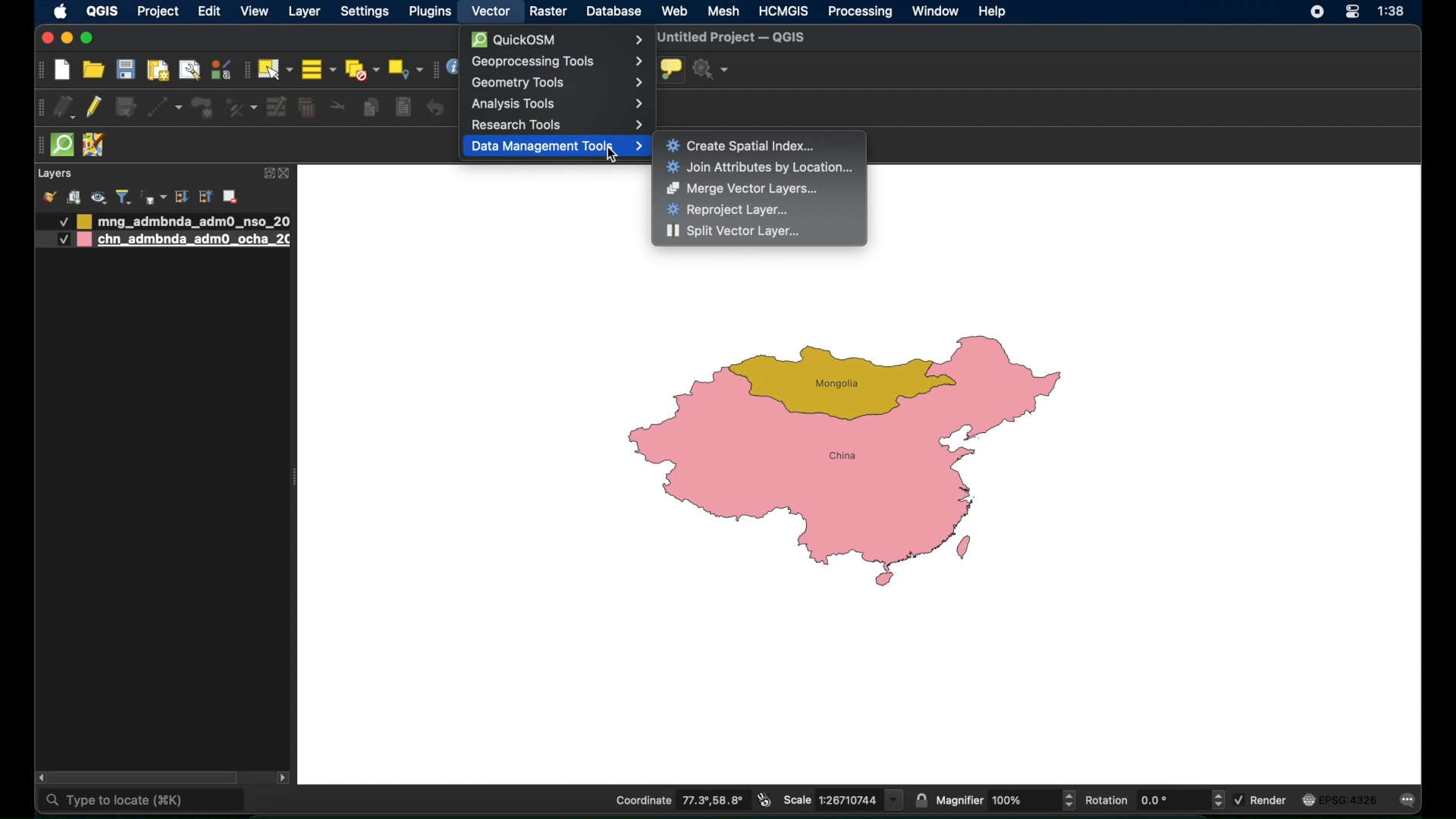 The image size is (1456, 819). Describe the element at coordinates (127, 107) in the screenshot. I see `save edits` at that location.